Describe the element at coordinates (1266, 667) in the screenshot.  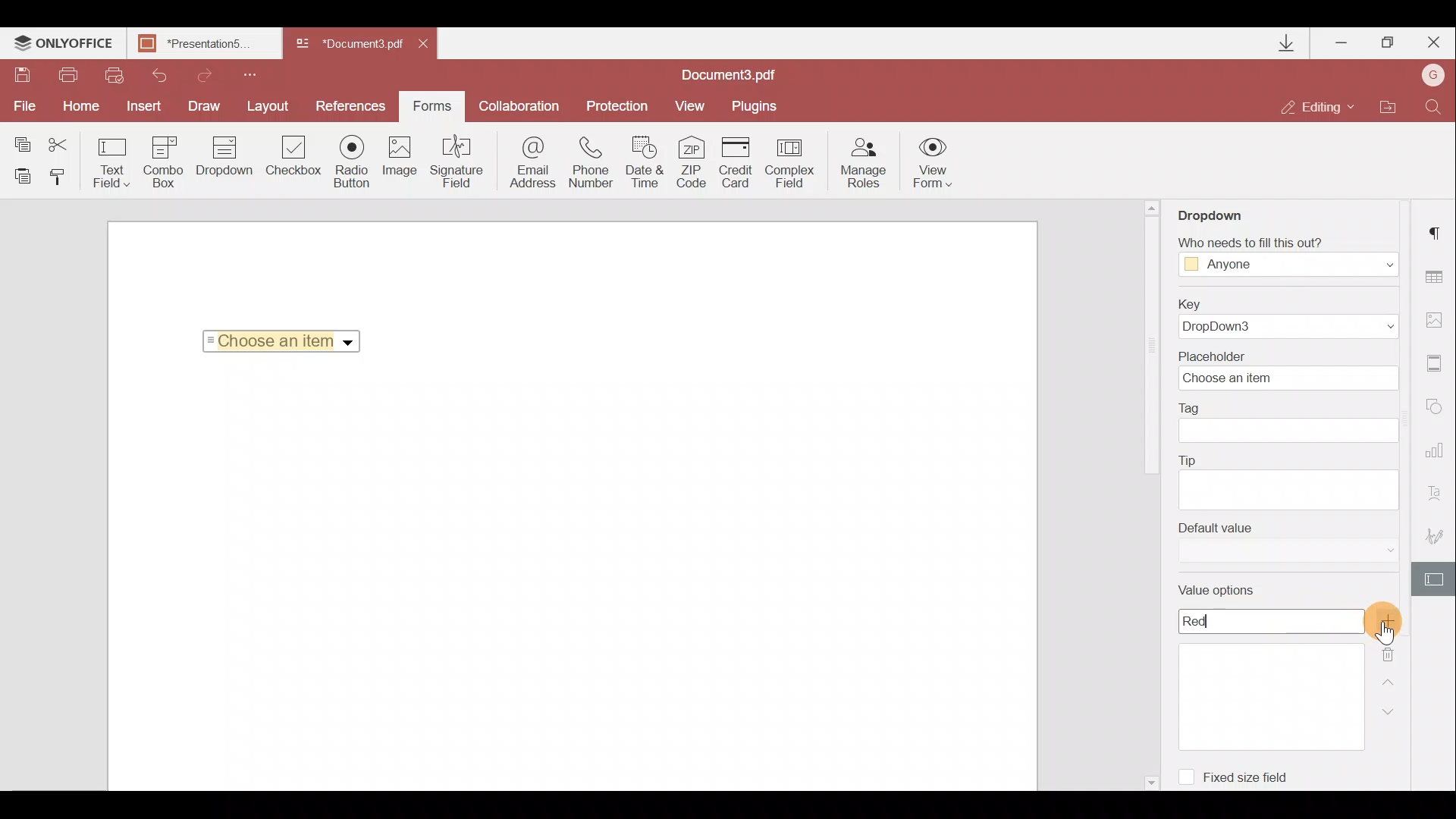
I see `Value options` at that location.